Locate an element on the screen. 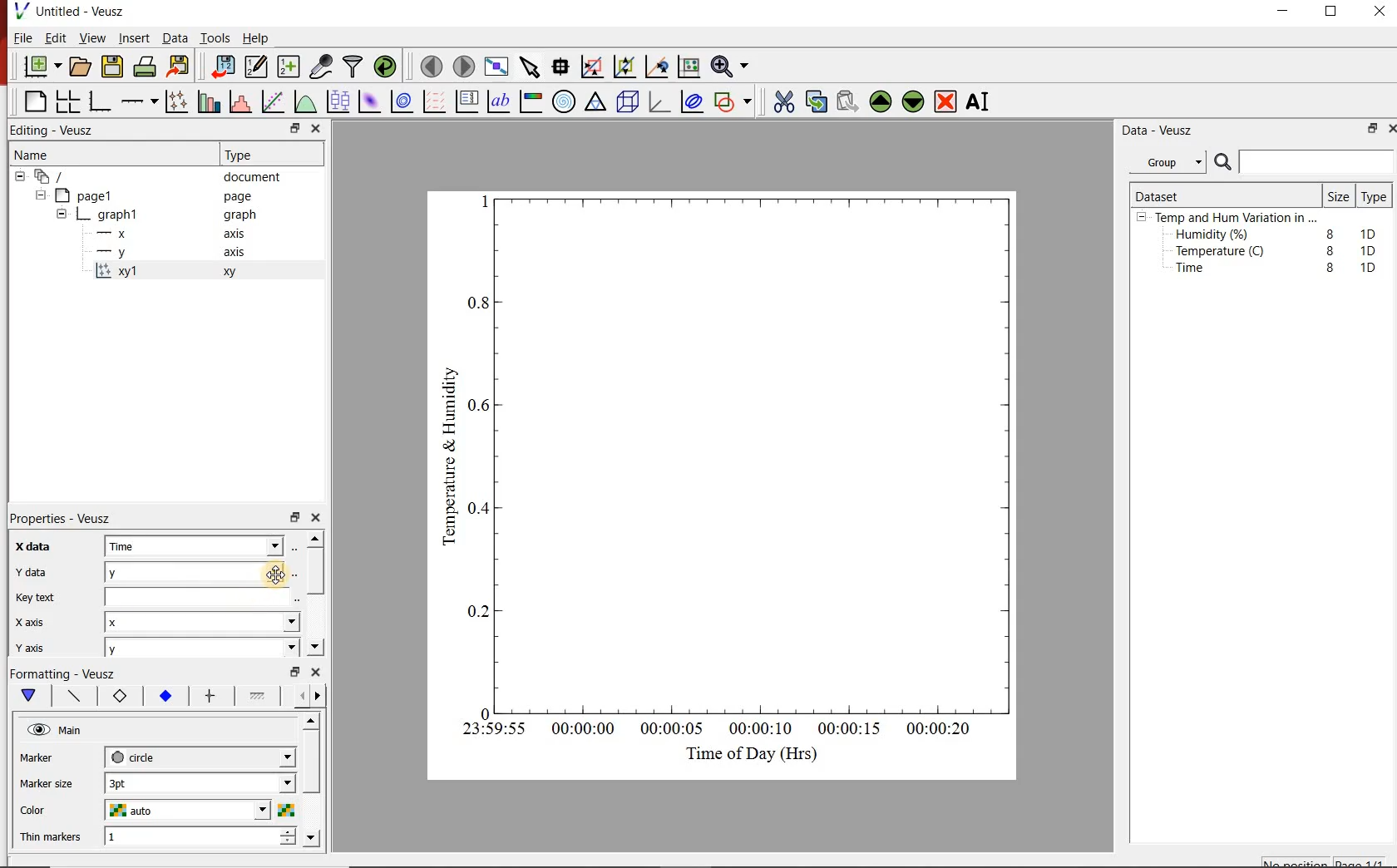  Select using dataset browser is located at coordinates (300, 547).